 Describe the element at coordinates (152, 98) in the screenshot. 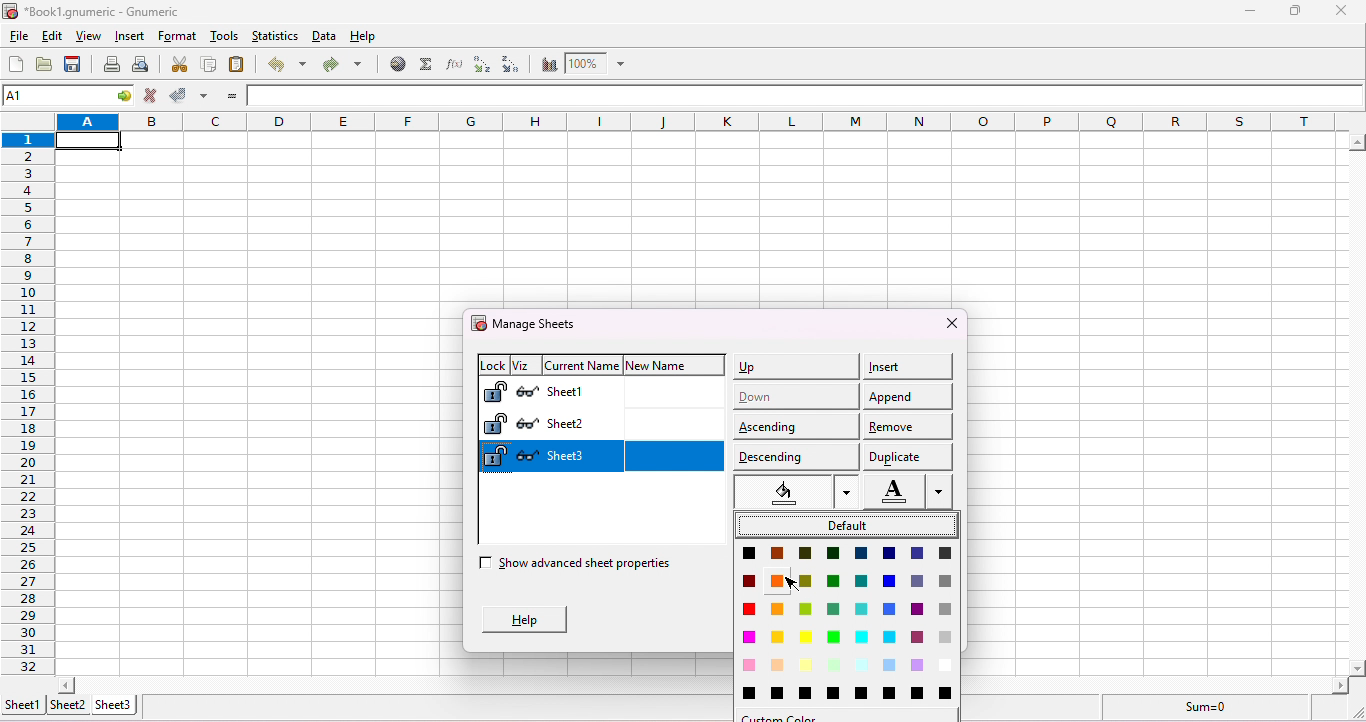

I see `cancel change` at that location.